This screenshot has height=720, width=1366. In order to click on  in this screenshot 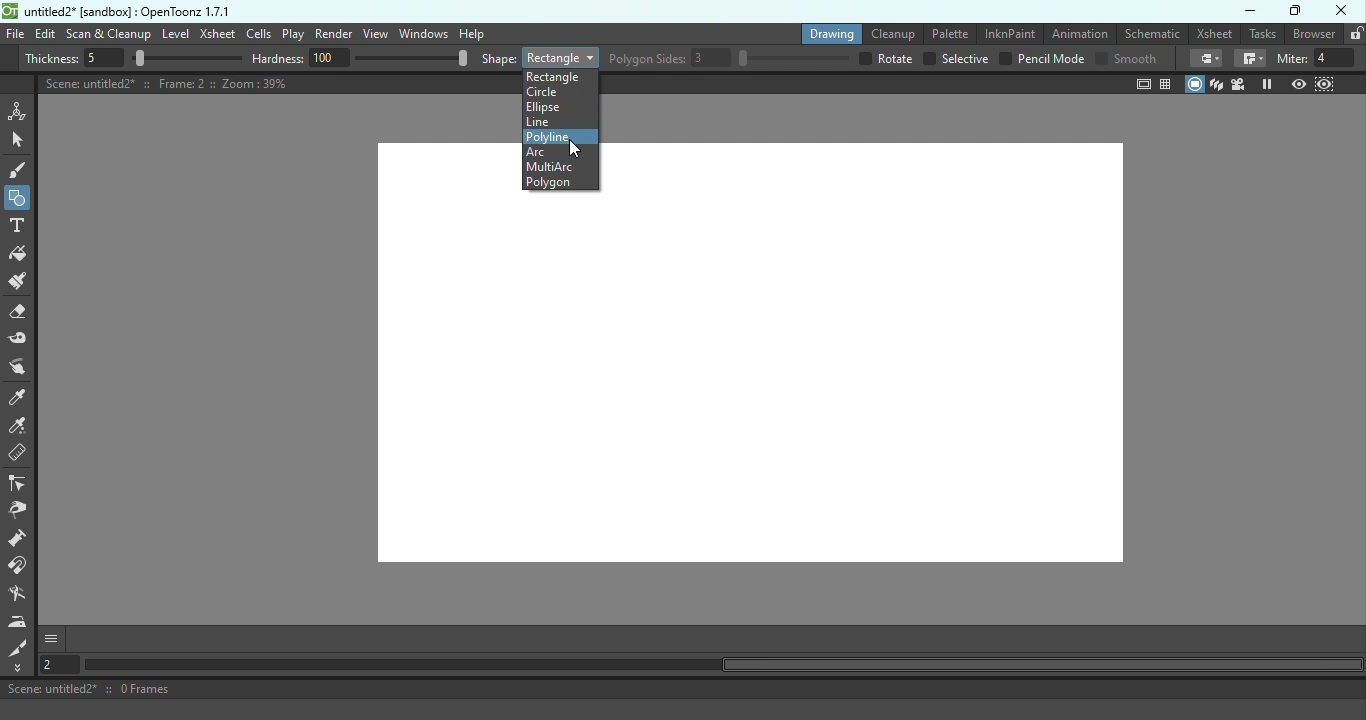, I will do `click(18, 196)`.